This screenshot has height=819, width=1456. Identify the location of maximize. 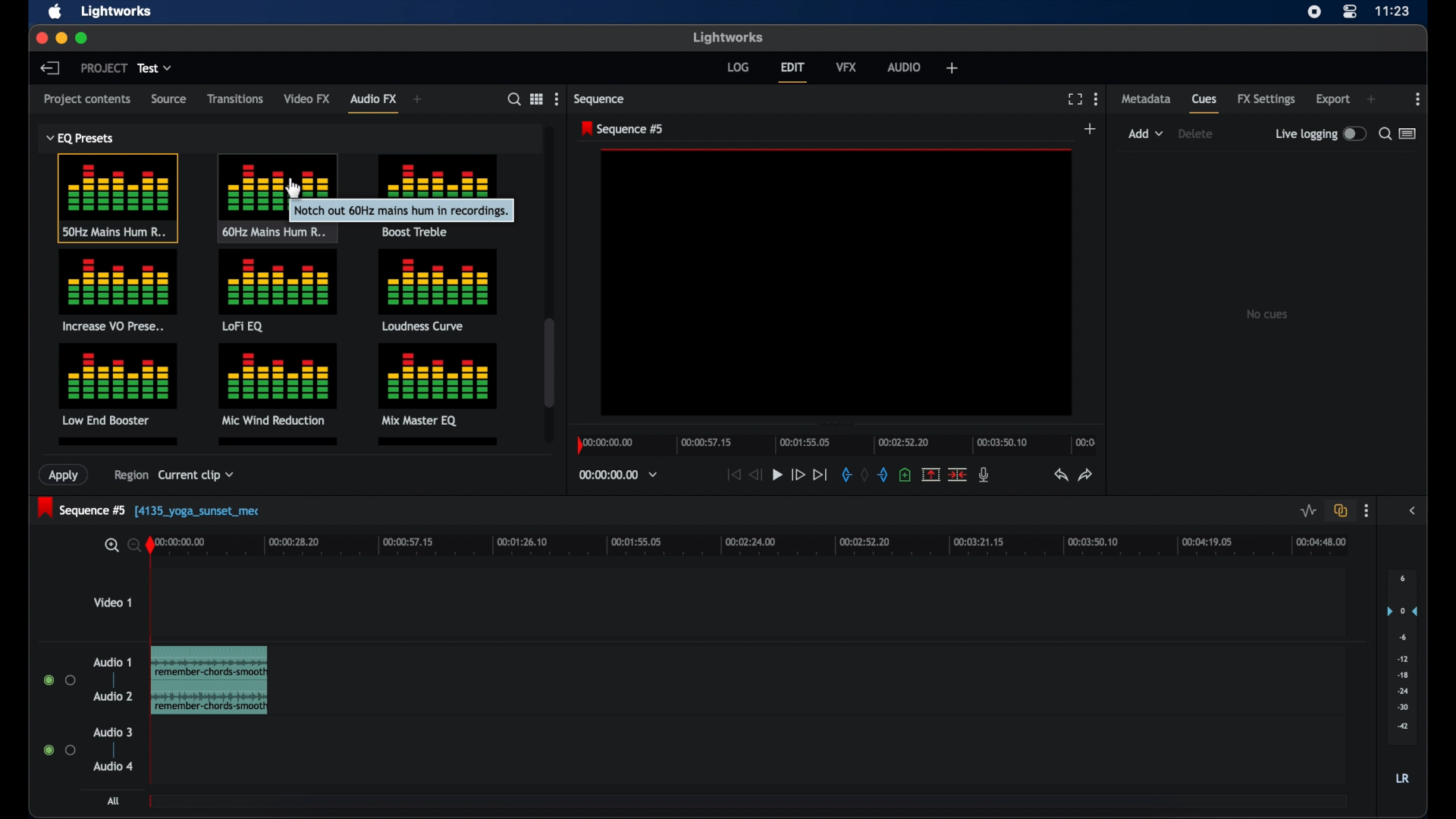
(83, 39).